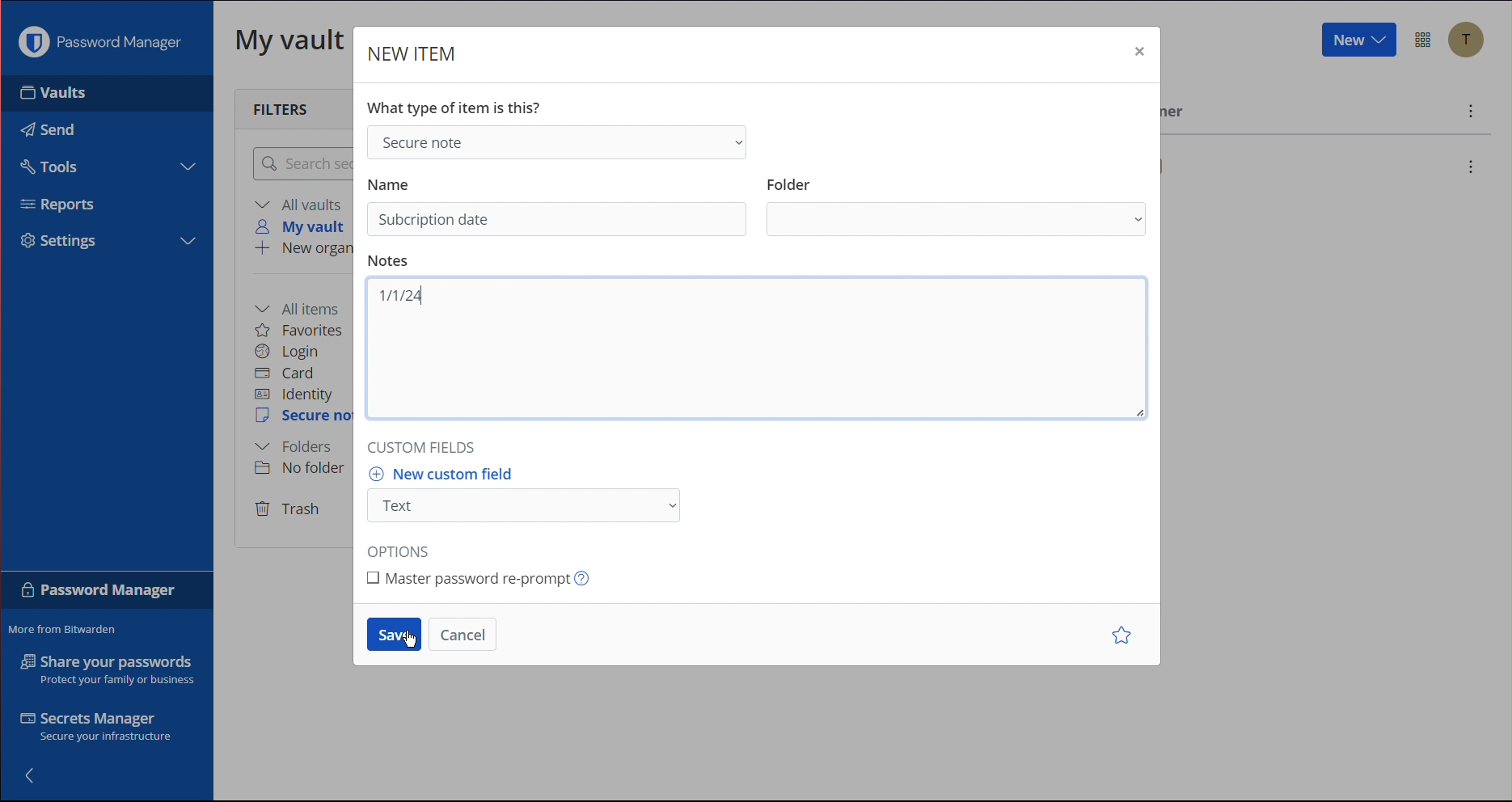 The image size is (1512, 802). What do you see at coordinates (300, 163) in the screenshot?
I see `Search secure notes` at bounding box center [300, 163].